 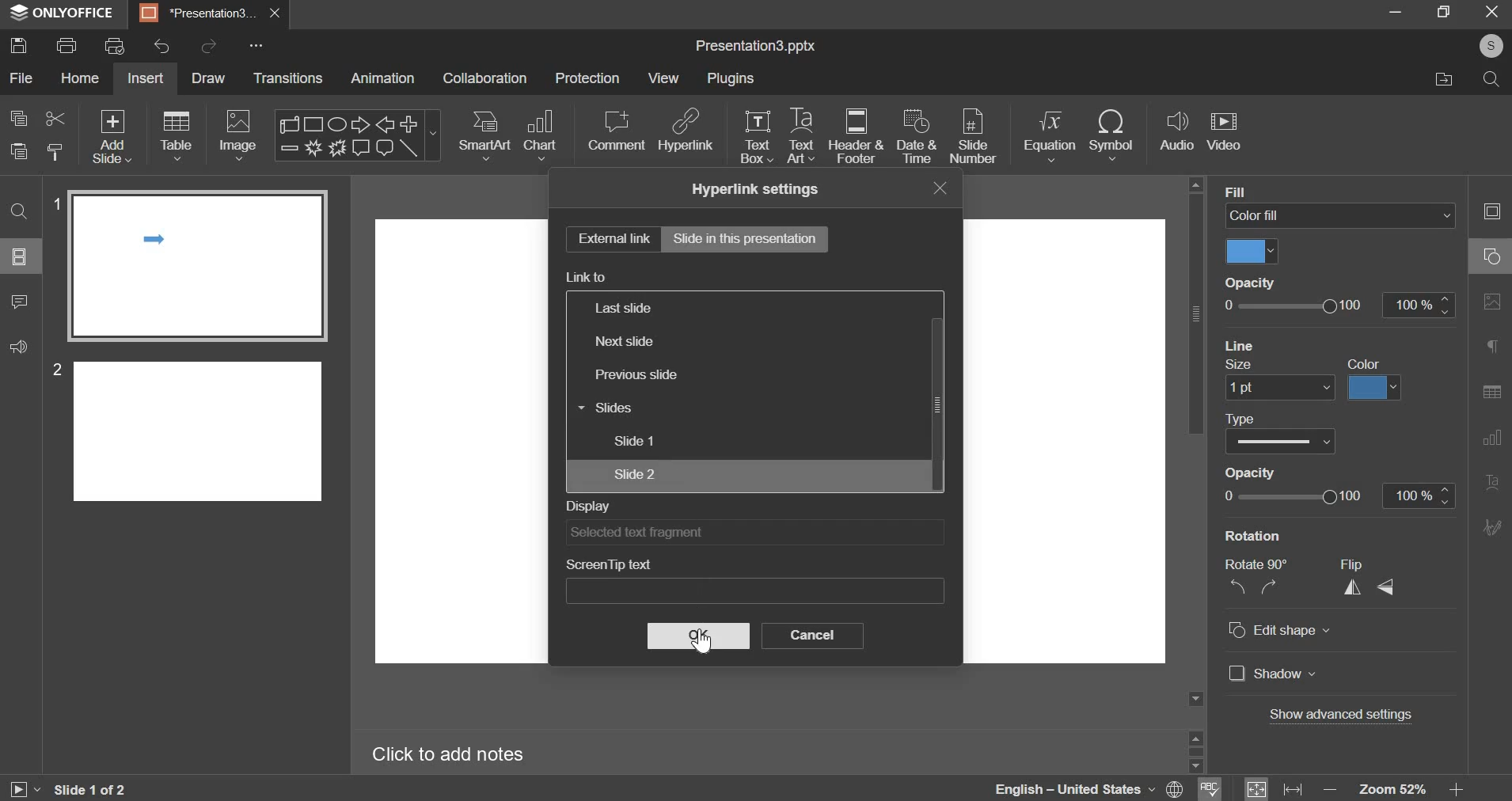 I want to click on ScreenTip Text, so click(x=757, y=591).